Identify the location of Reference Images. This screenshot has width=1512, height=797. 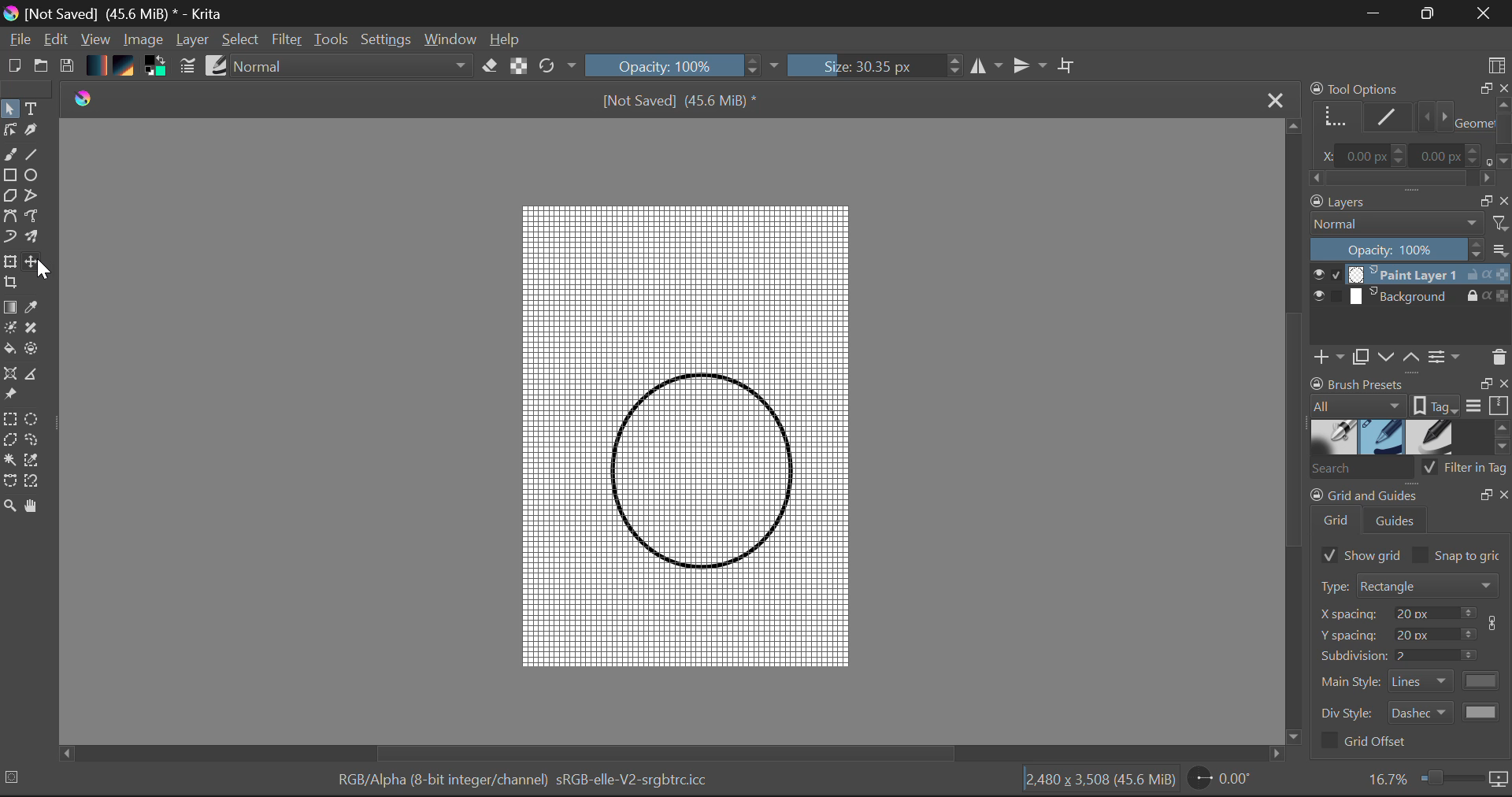
(10, 395).